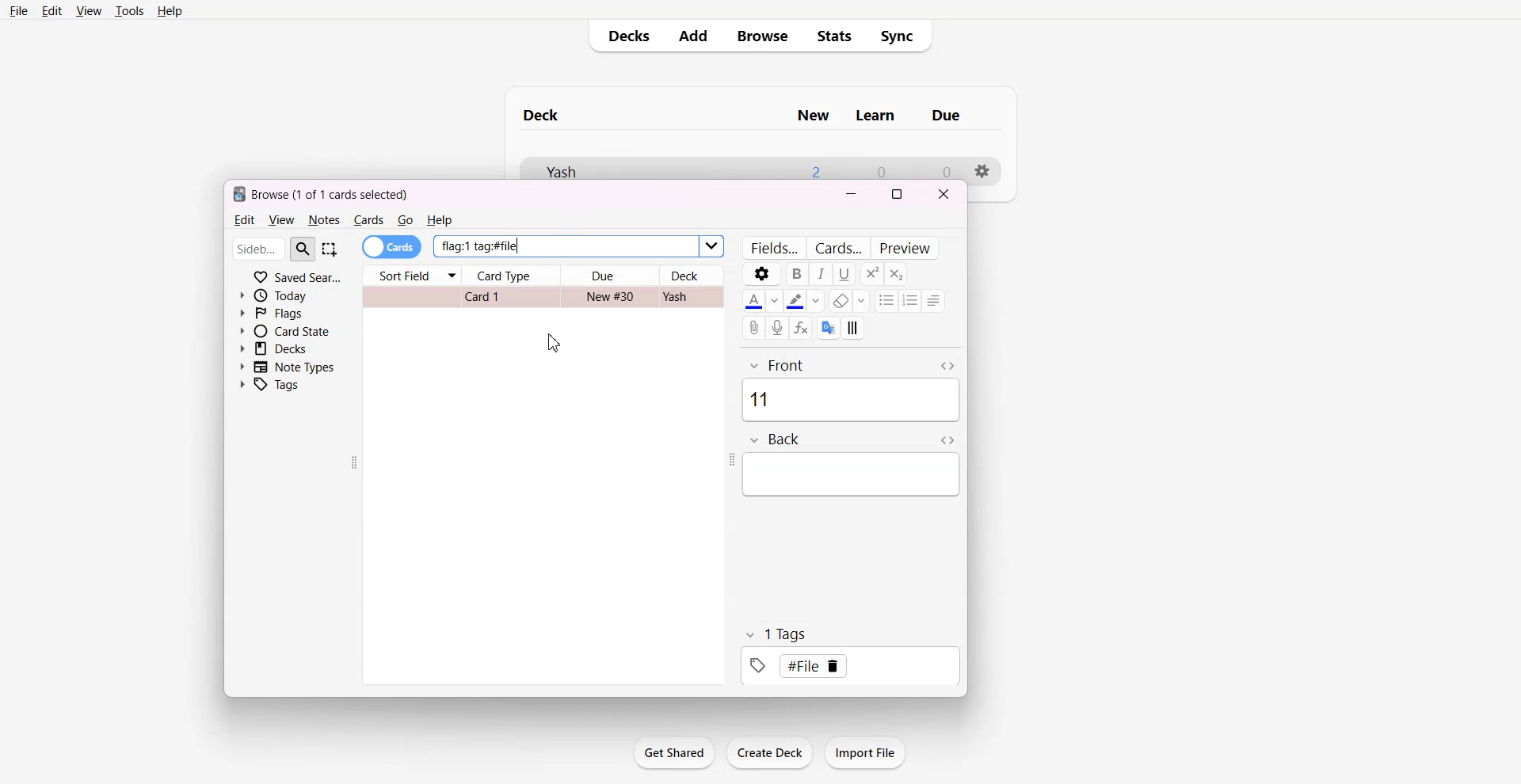 Image resolution: width=1521 pixels, height=784 pixels. I want to click on Edit, so click(52, 10).